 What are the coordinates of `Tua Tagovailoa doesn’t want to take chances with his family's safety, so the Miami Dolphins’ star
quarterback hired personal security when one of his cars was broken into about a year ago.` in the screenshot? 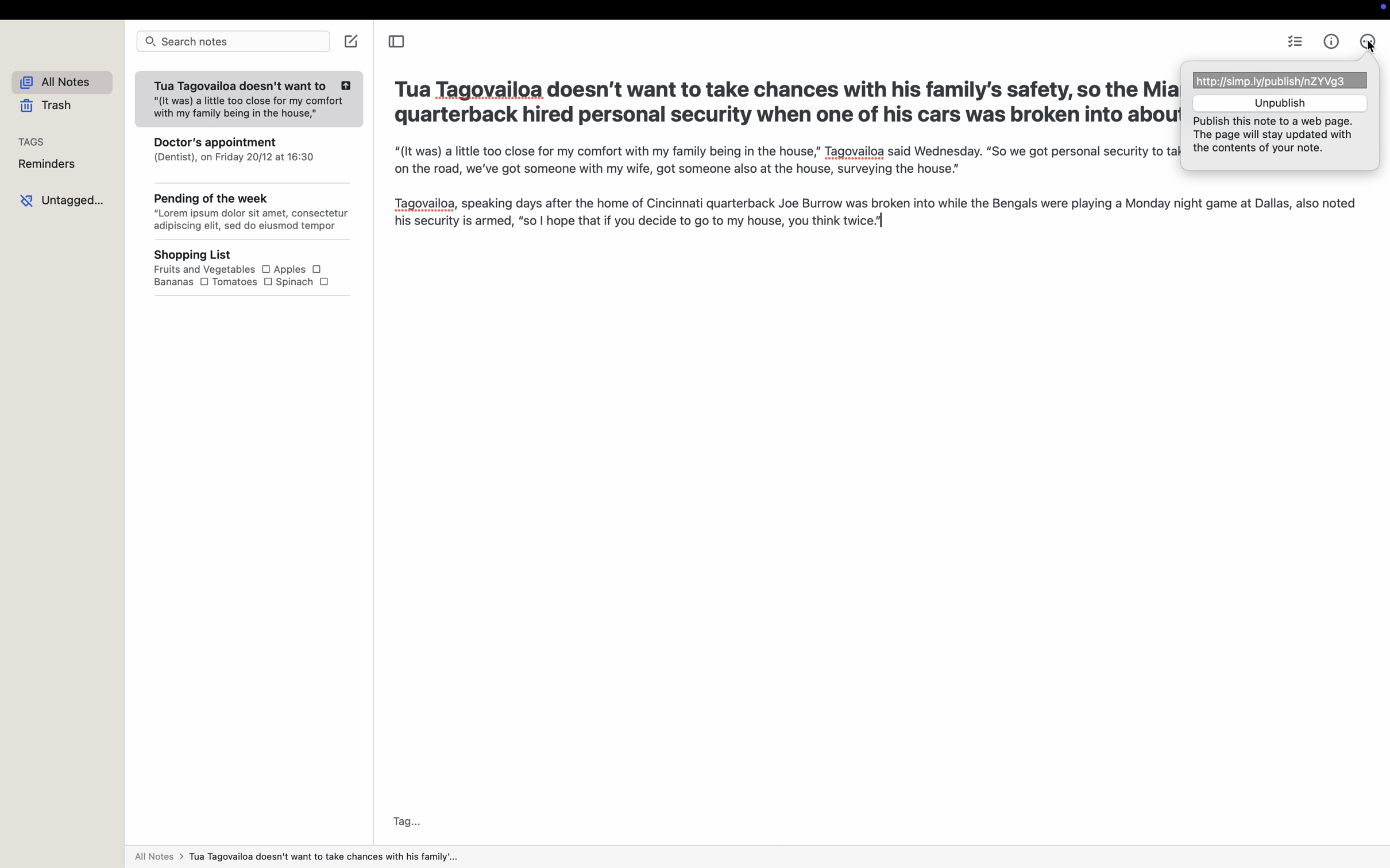 It's located at (779, 106).